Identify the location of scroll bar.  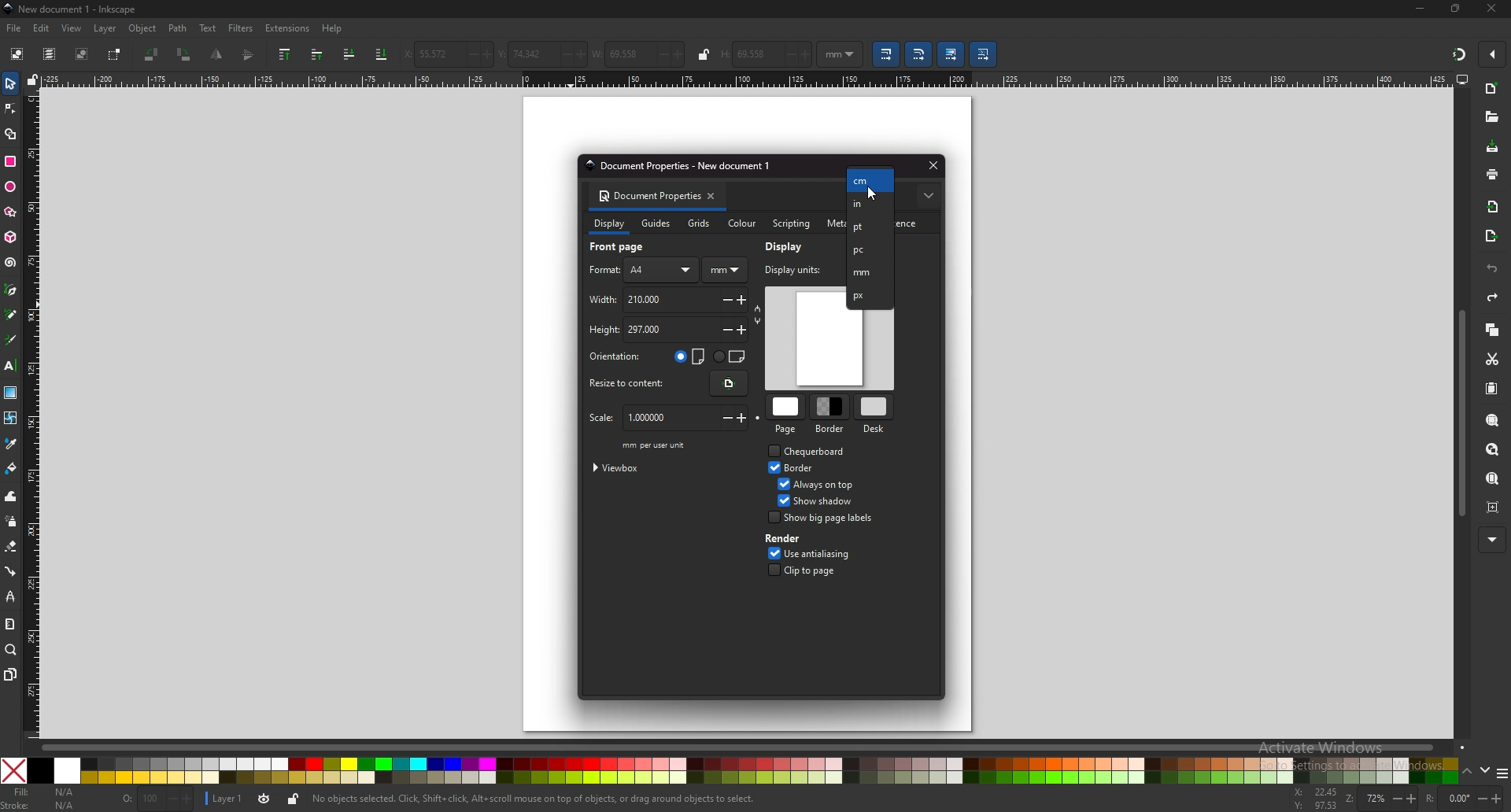
(756, 746).